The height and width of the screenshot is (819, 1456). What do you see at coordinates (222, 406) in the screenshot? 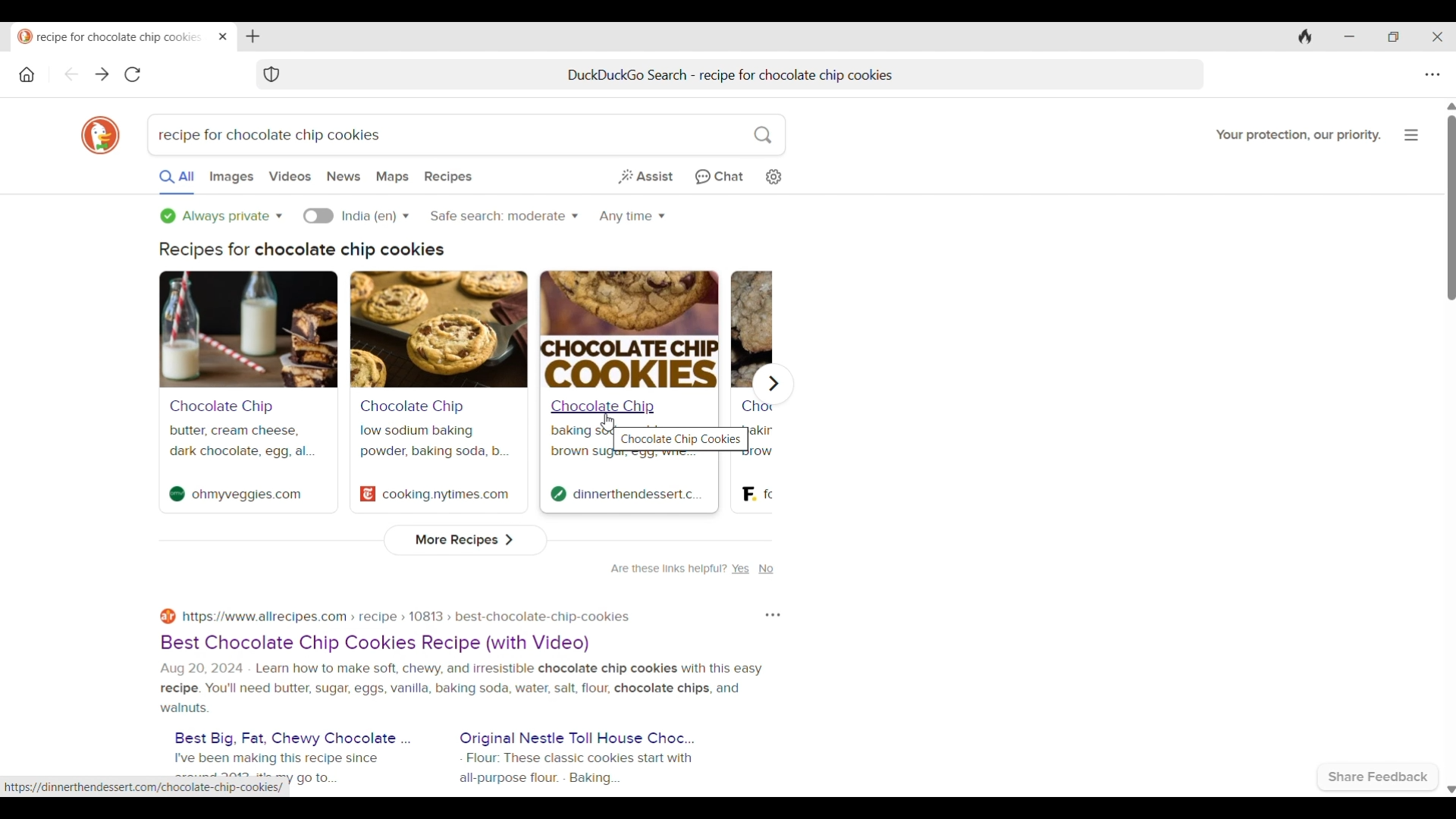
I see `Chocolate Chip` at bounding box center [222, 406].